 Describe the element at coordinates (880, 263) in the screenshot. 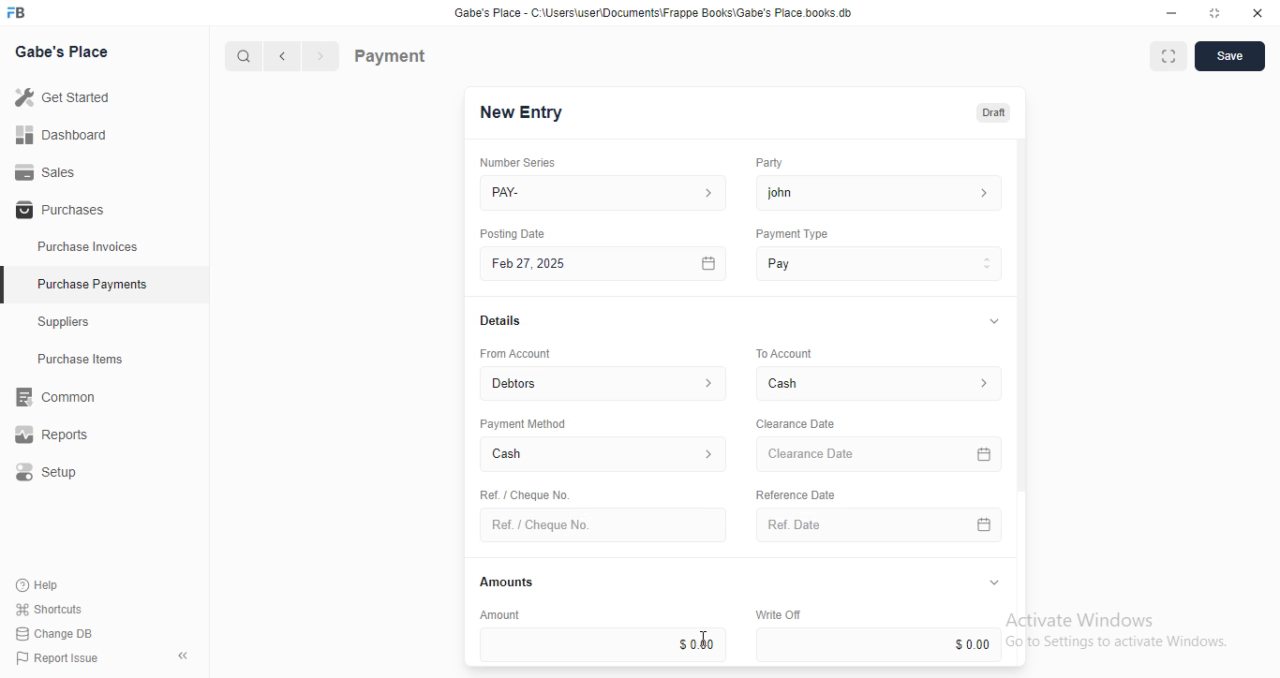

I see `Pay` at that location.